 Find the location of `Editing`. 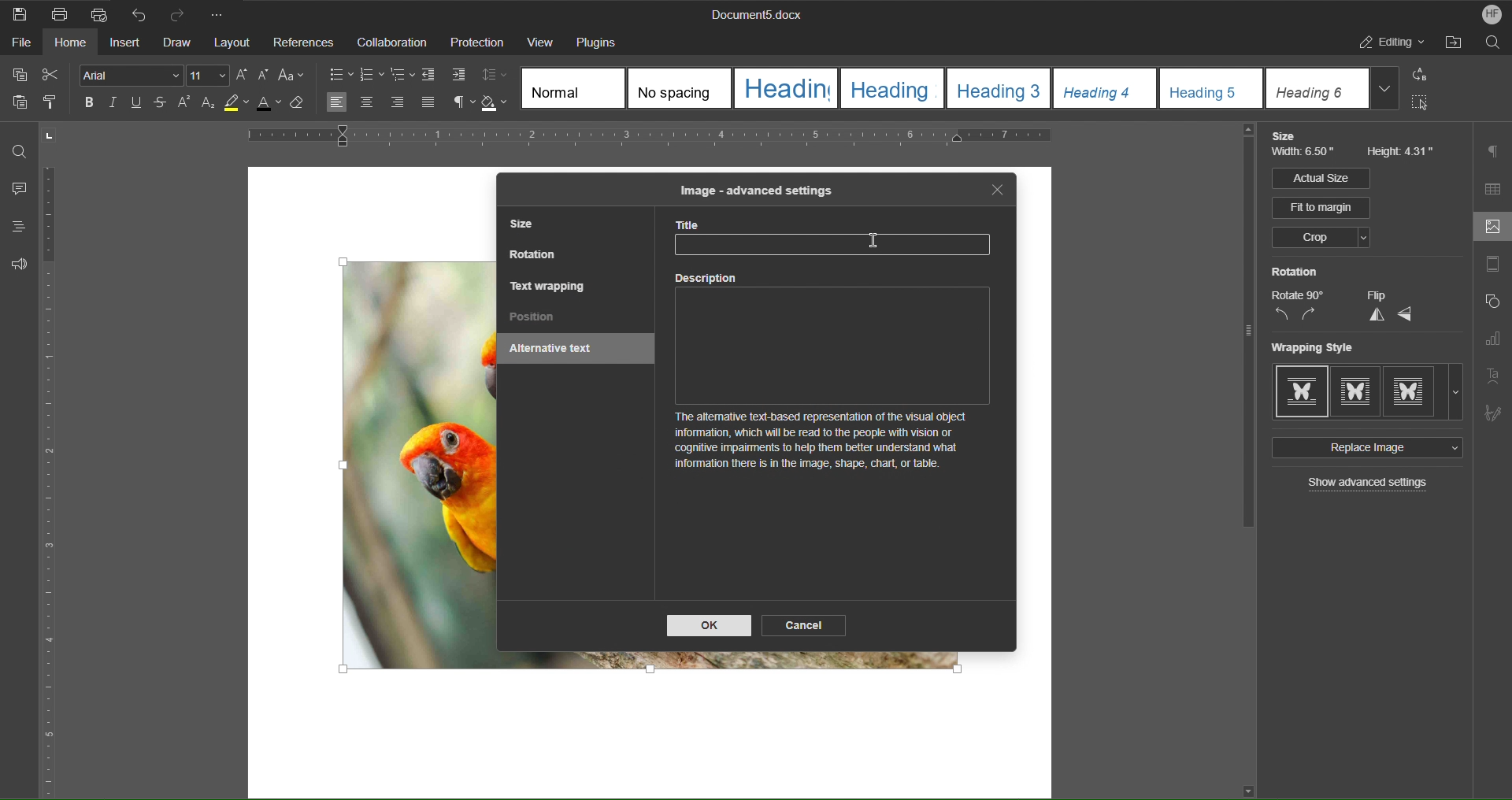

Editing is located at coordinates (1393, 45).